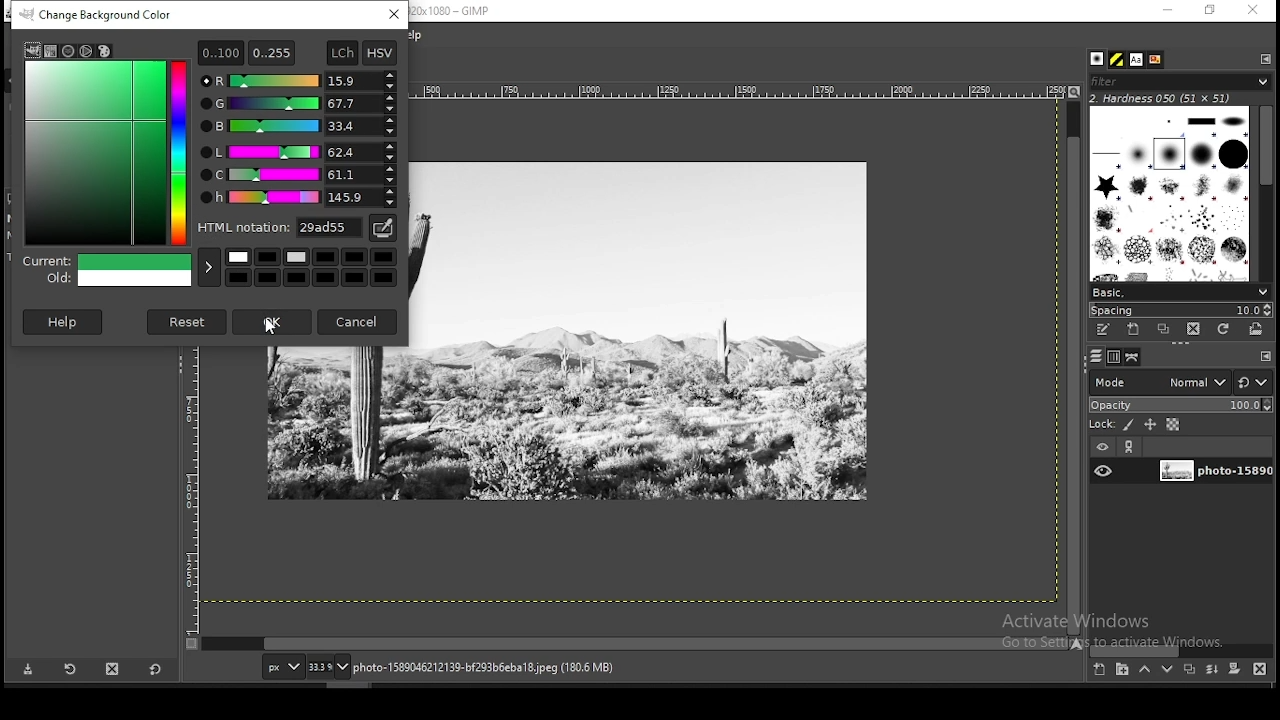 The width and height of the screenshot is (1280, 720). I want to click on zoom level, so click(329, 666).